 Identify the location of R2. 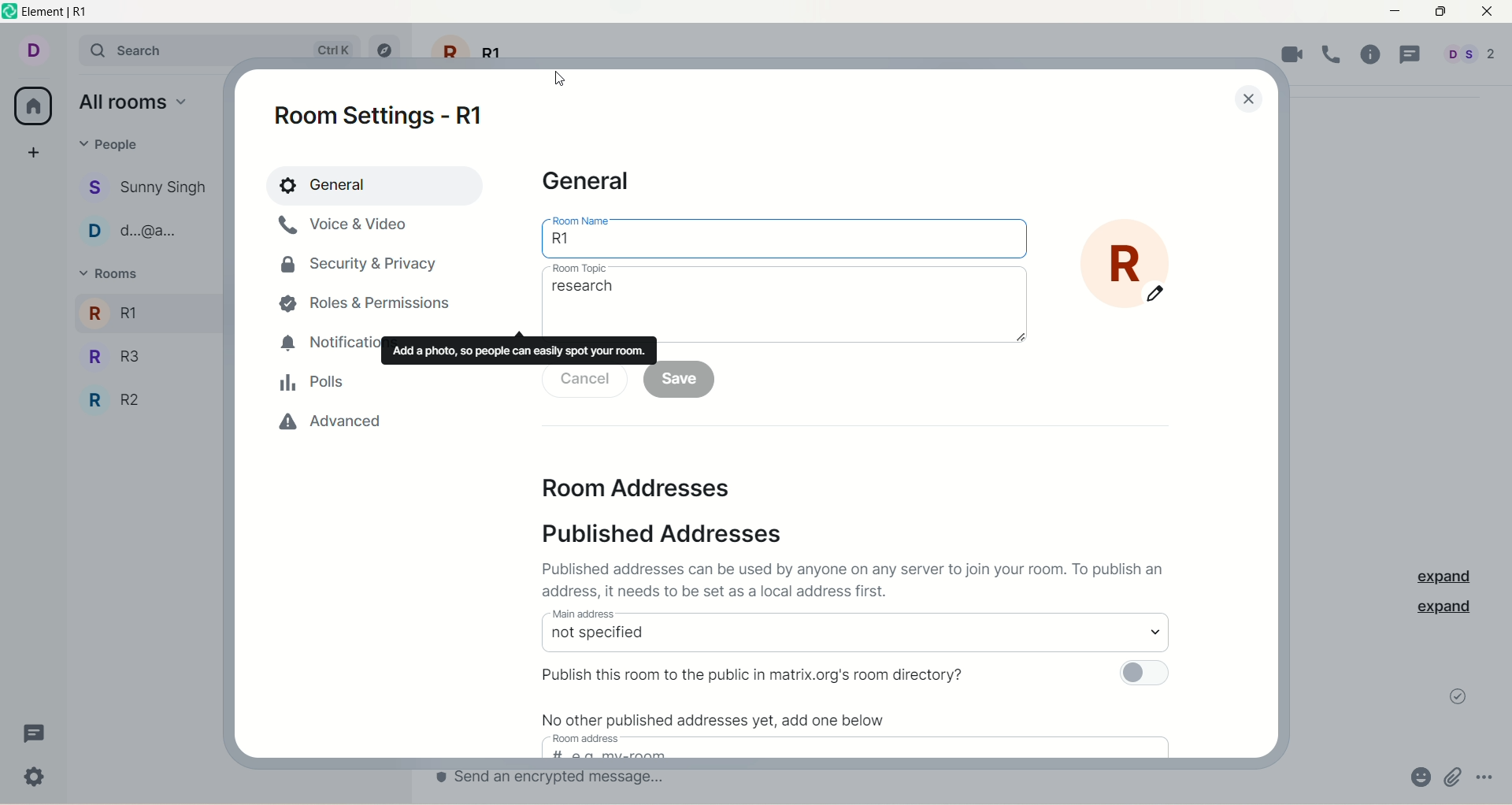
(122, 395).